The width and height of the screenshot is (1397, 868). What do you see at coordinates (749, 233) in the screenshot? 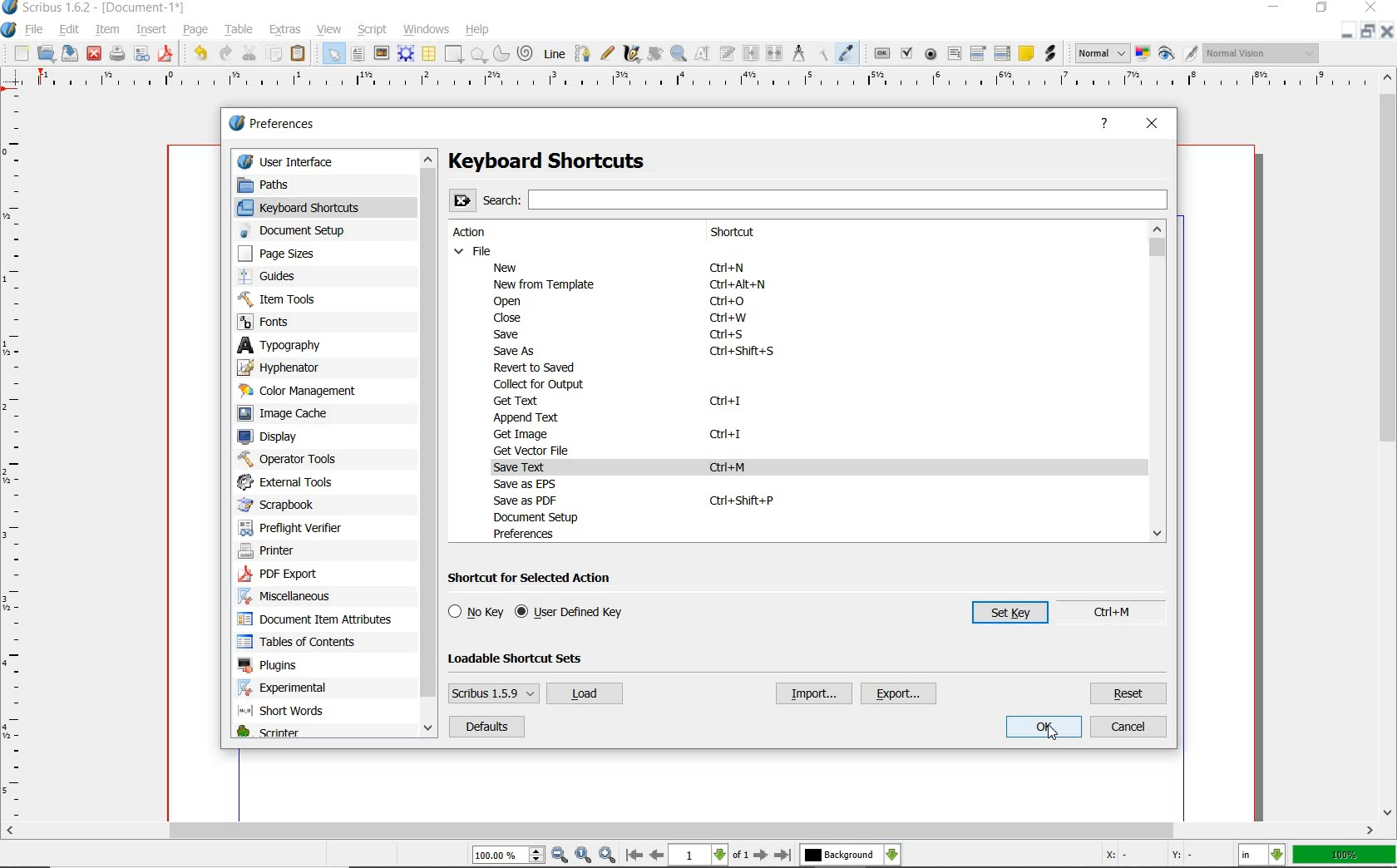
I see `shortcut` at bounding box center [749, 233].